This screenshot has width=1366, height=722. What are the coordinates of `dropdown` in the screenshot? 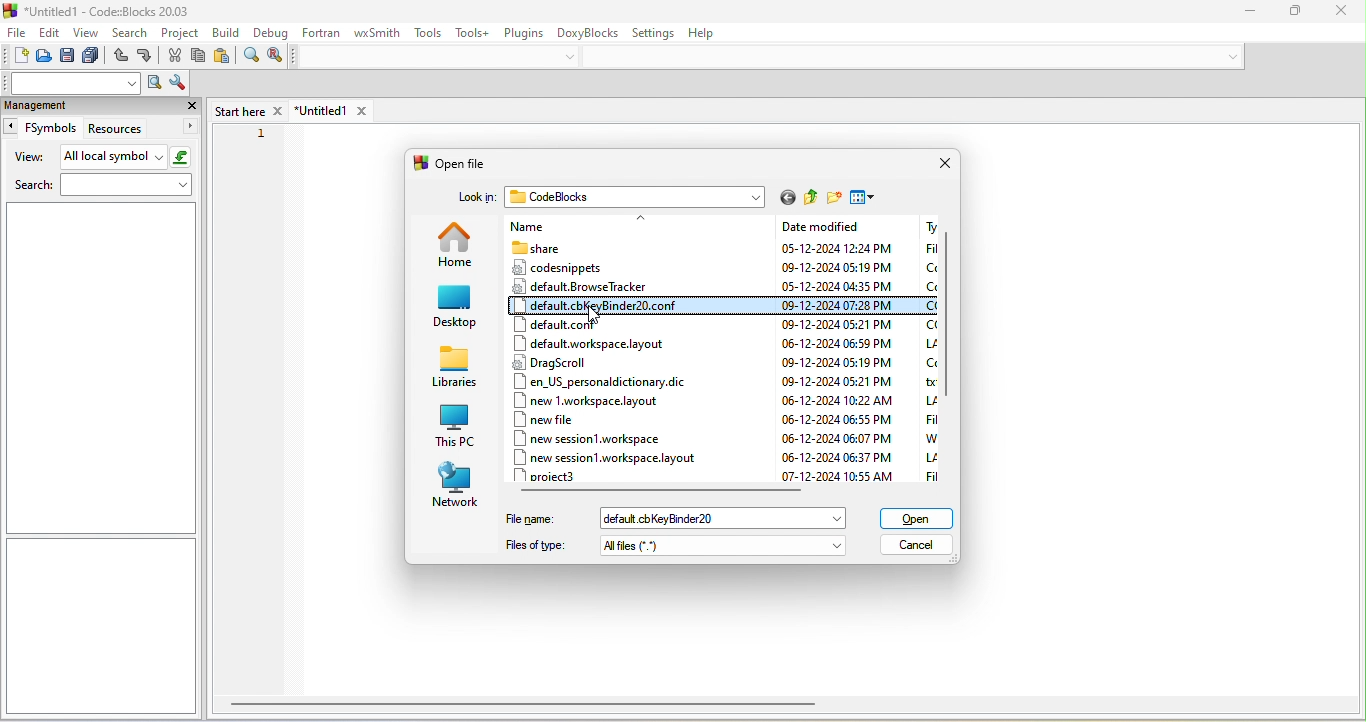 It's located at (1229, 54).